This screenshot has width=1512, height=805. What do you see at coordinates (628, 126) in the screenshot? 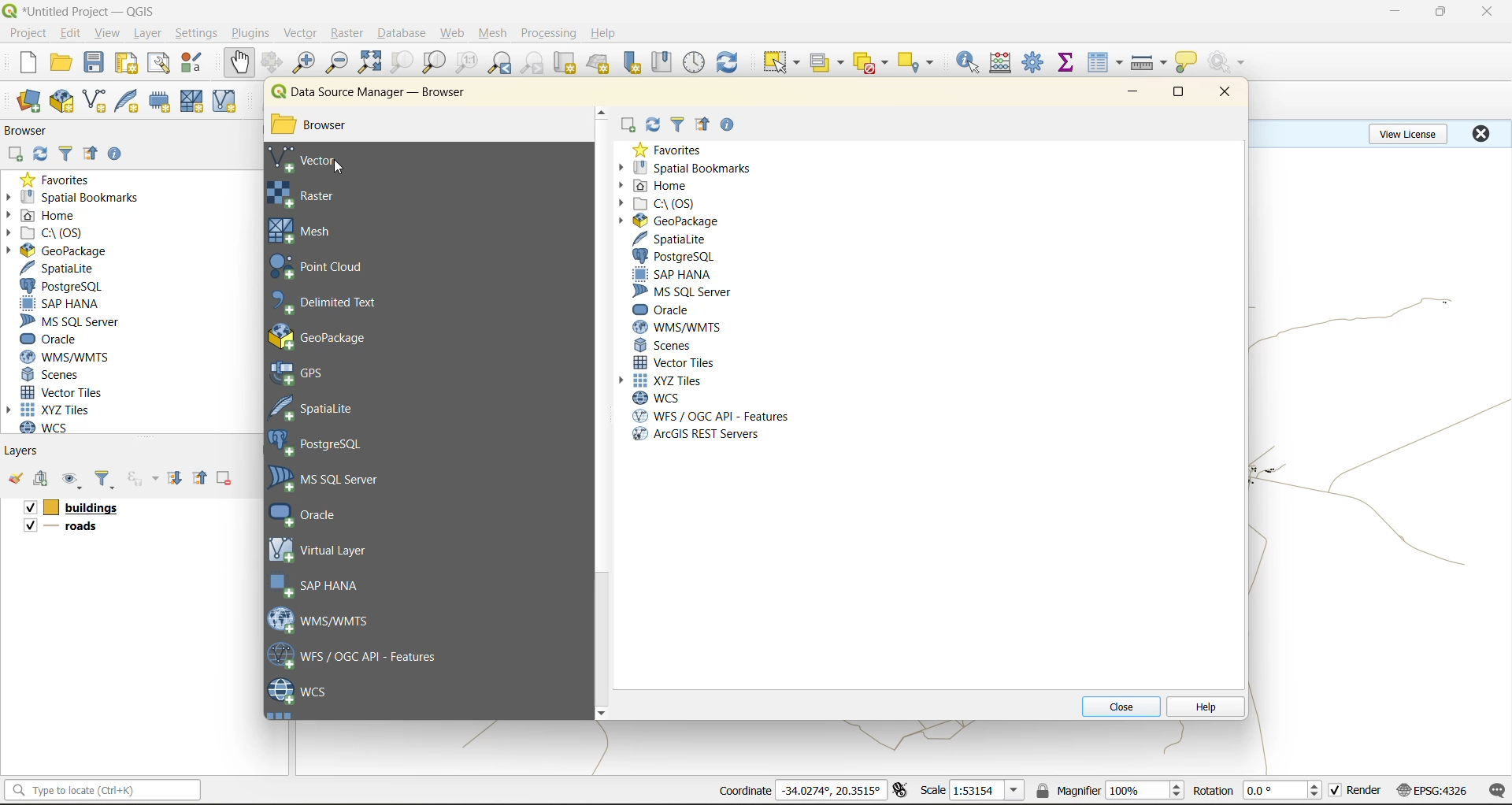
I see `add selected layers` at bounding box center [628, 126].